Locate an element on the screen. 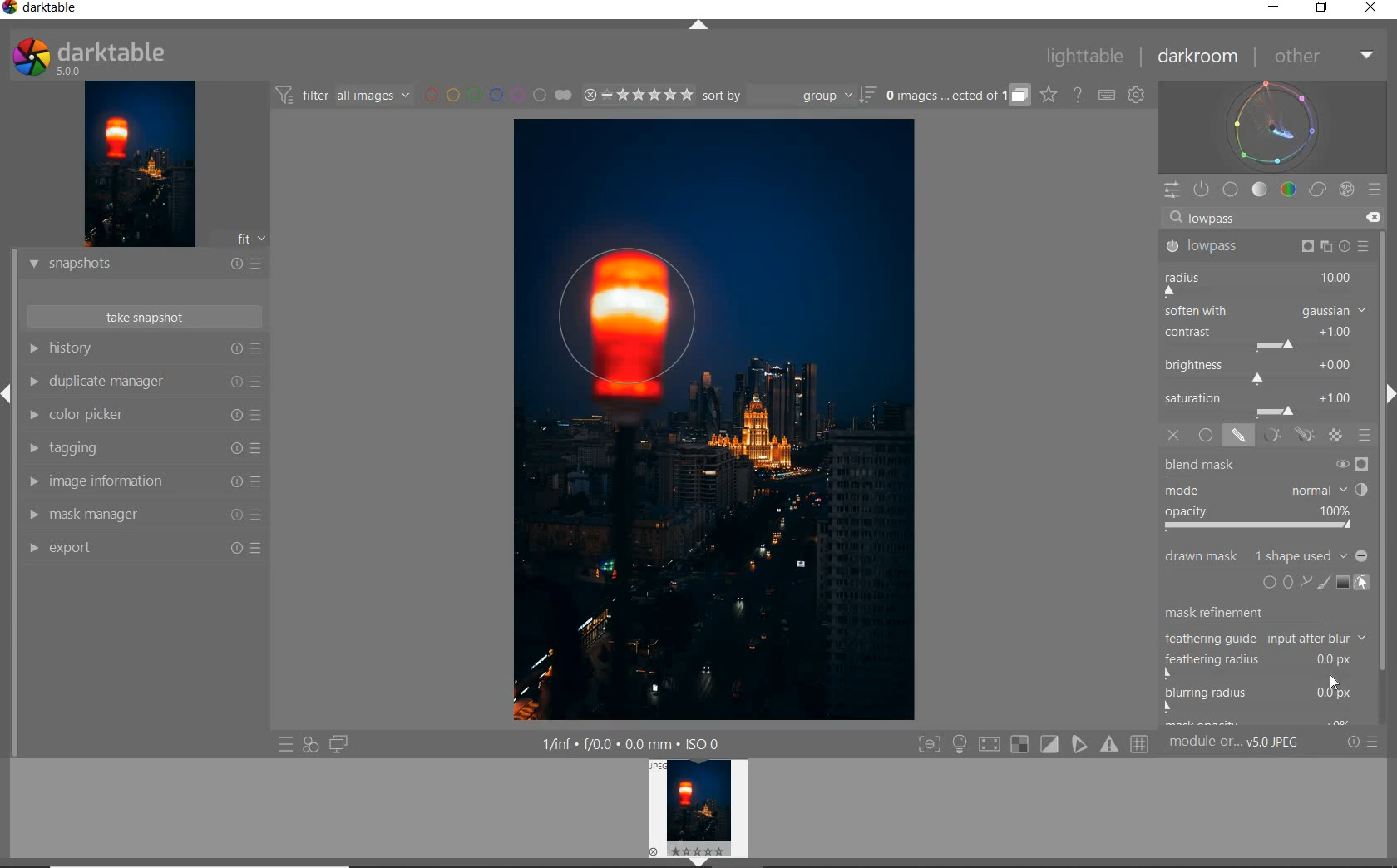  MASK MANAGER is located at coordinates (144, 515).